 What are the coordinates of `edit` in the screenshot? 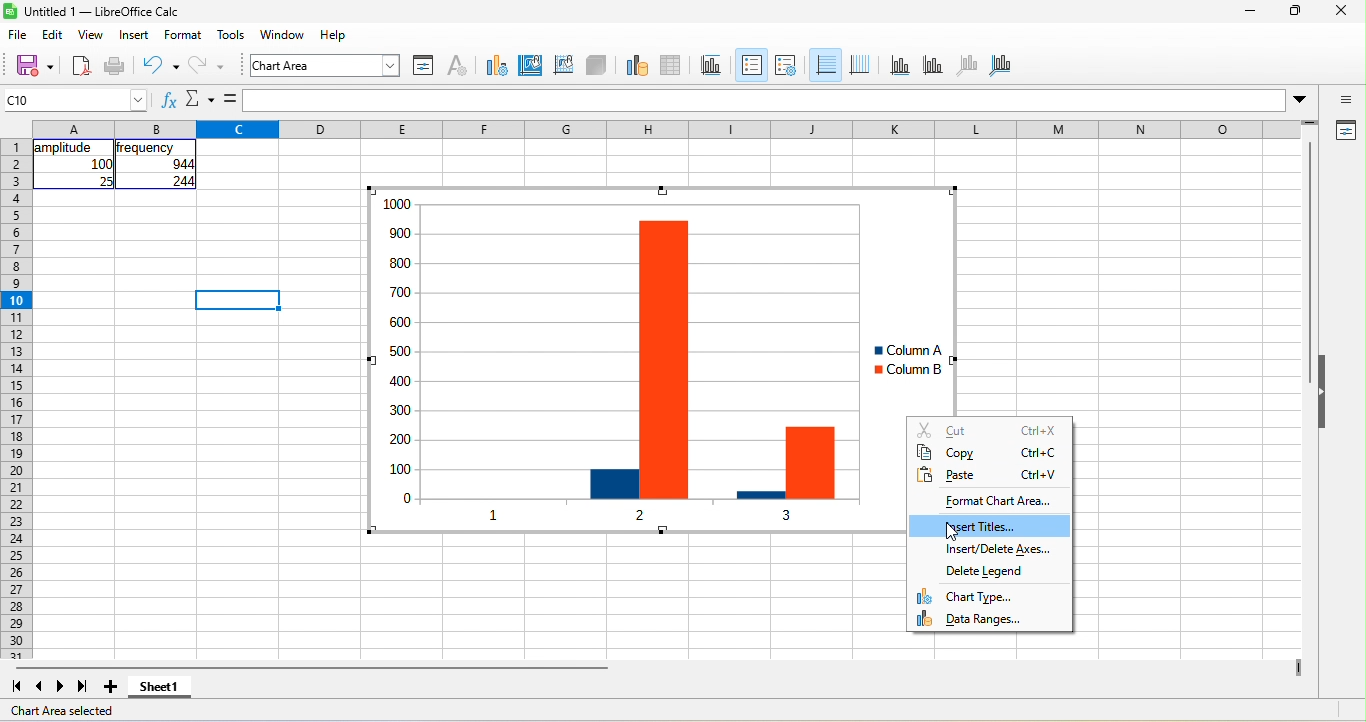 It's located at (53, 34).